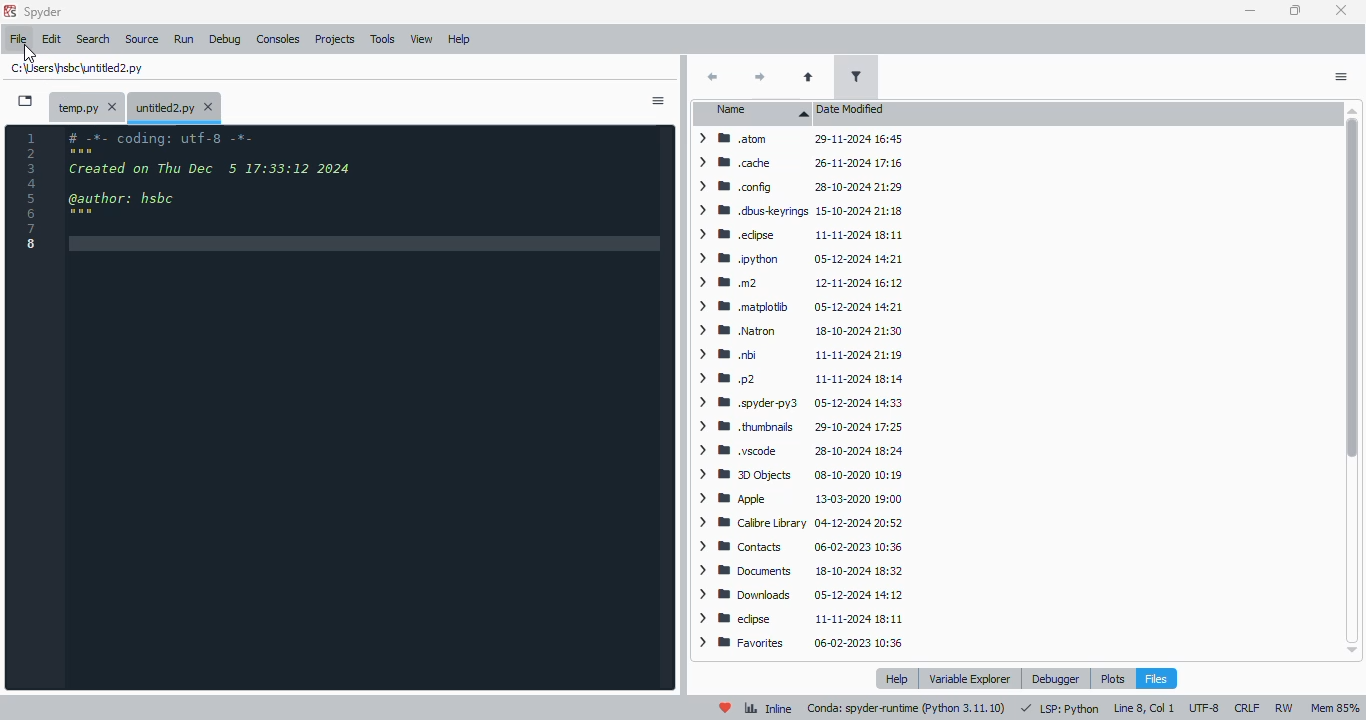  I want to click on minimize, so click(1251, 11).